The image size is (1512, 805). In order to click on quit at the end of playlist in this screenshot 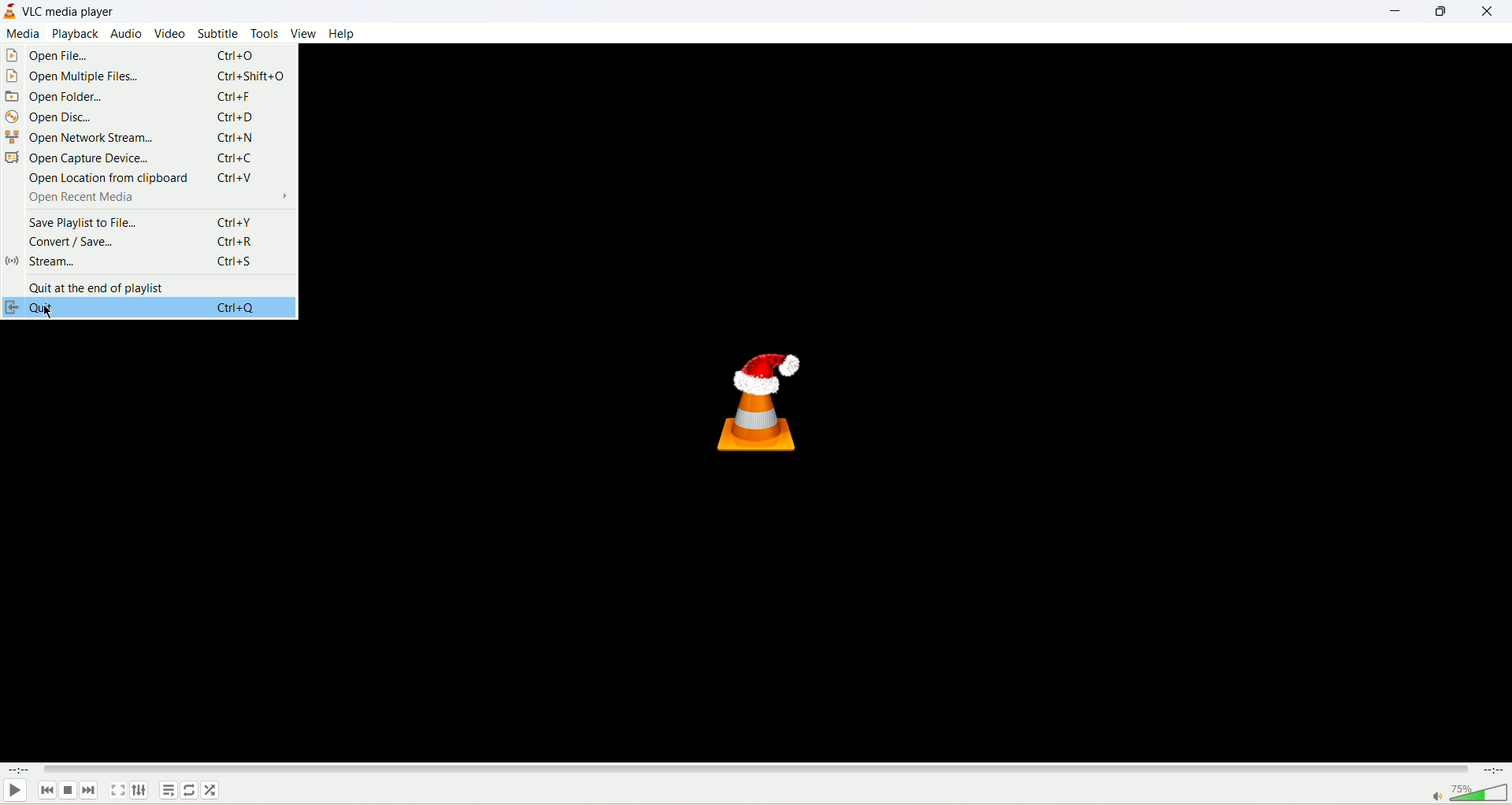, I will do `click(148, 285)`.